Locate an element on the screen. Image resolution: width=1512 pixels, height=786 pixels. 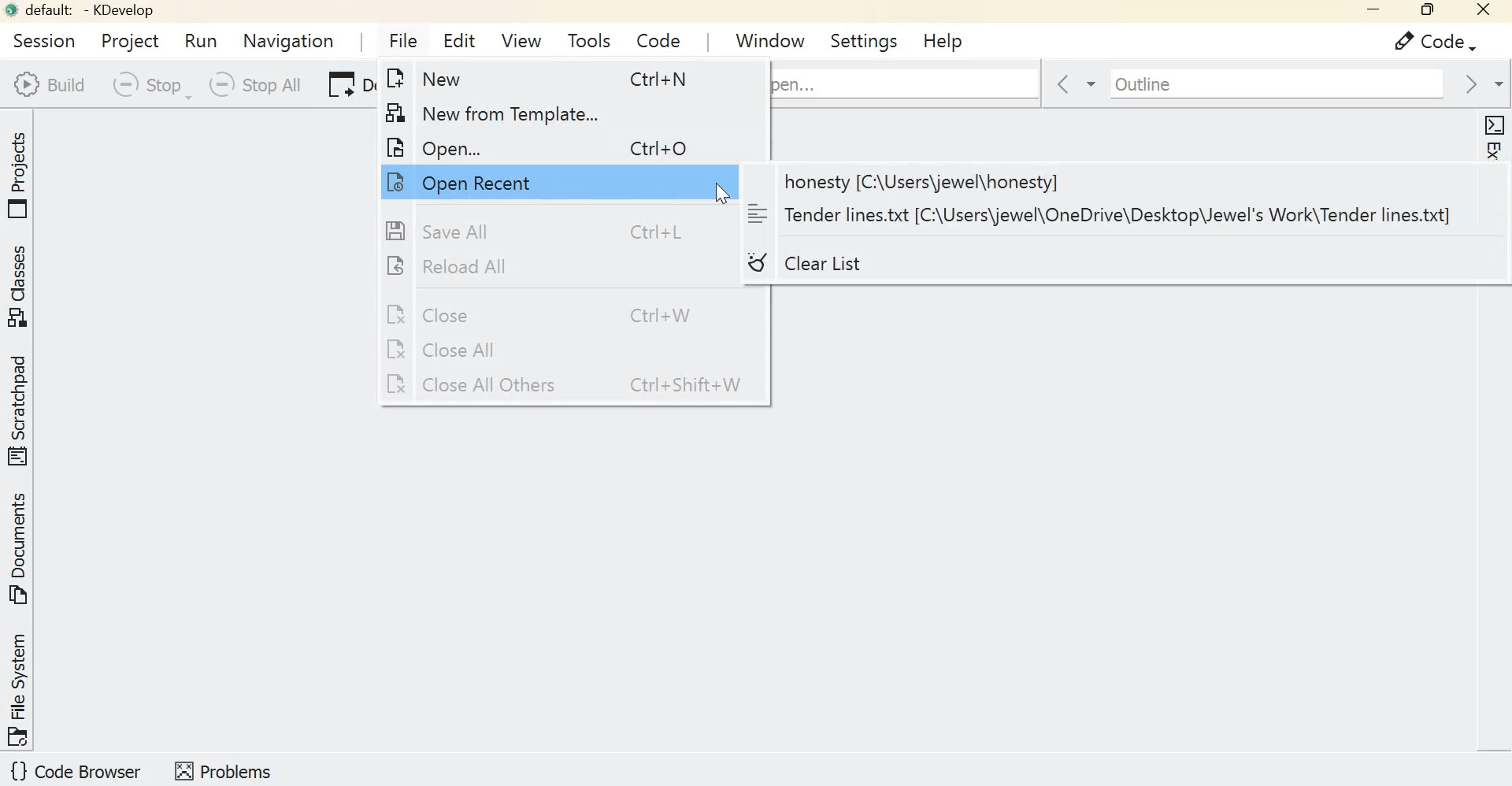
Go back in context history is located at coordinates (1065, 85).